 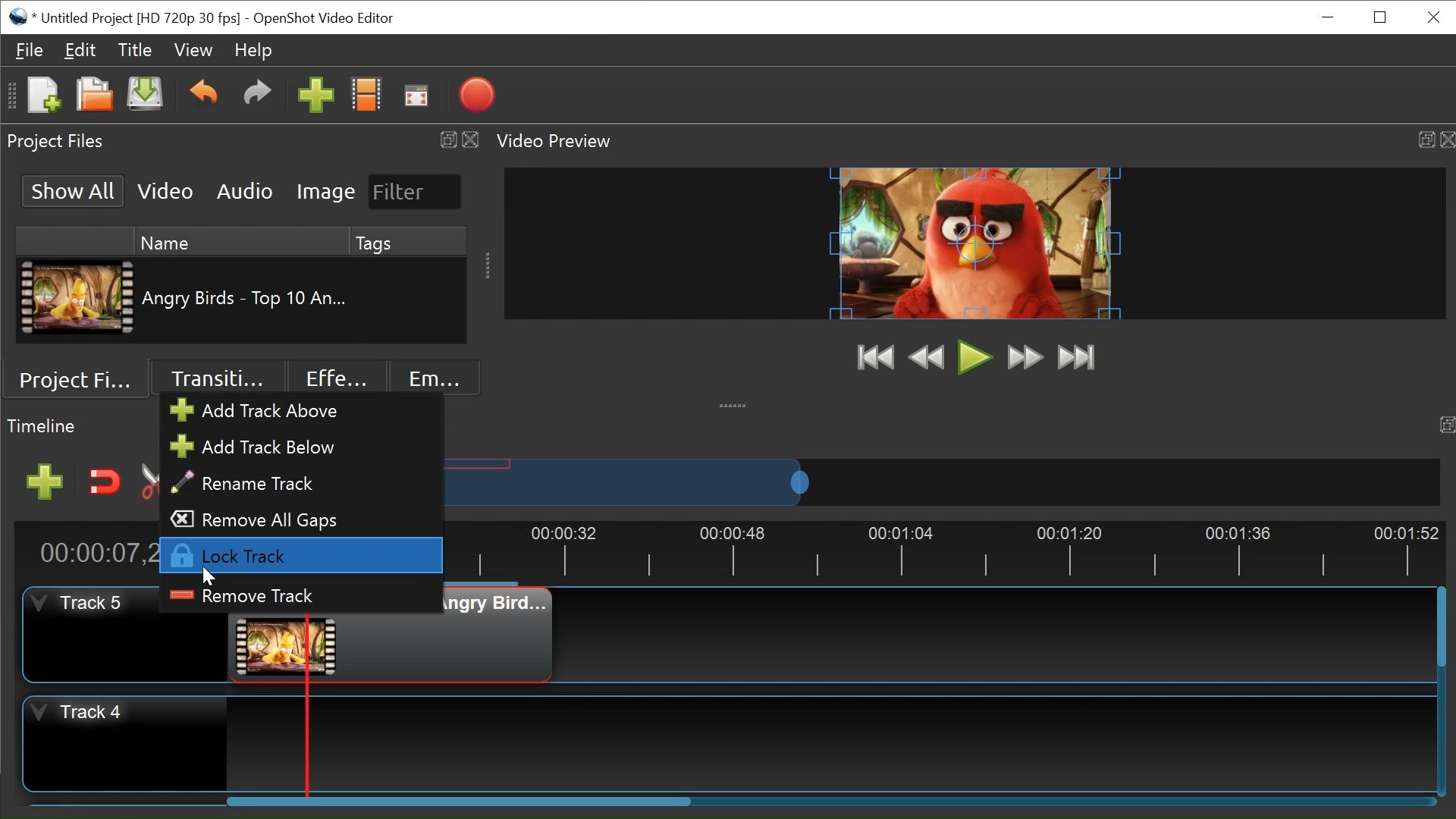 What do you see at coordinates (266, 519) in the screenshot?
I see `Remove all gaps` at bounding box center [266, 519].